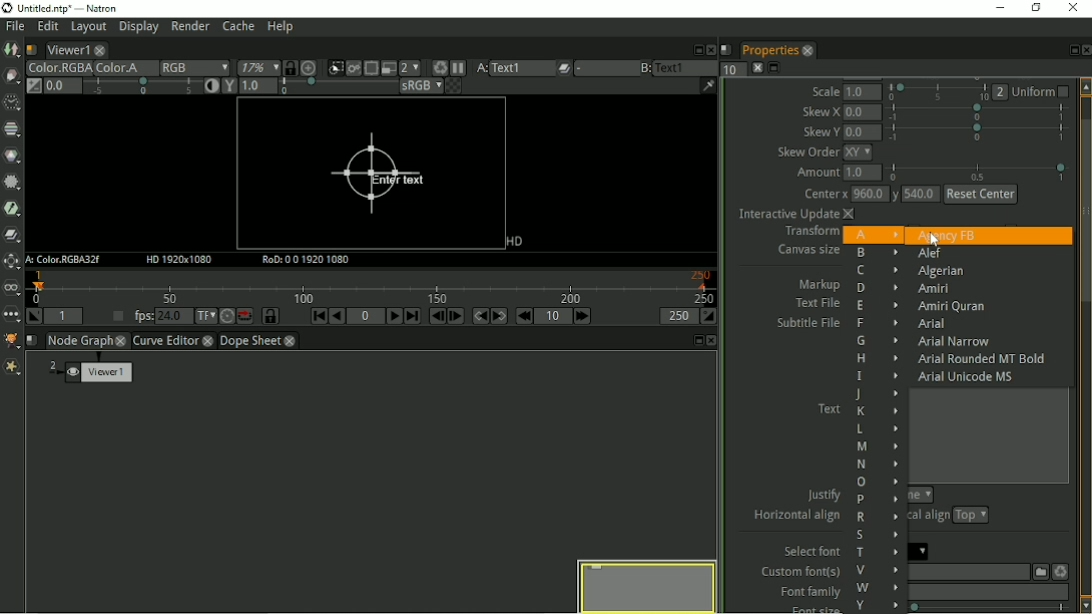 The image size is (1092, 614). What do you see at coordinates (876, 376) in the screenshot?
I see `I` at bounding box center [876, 376].